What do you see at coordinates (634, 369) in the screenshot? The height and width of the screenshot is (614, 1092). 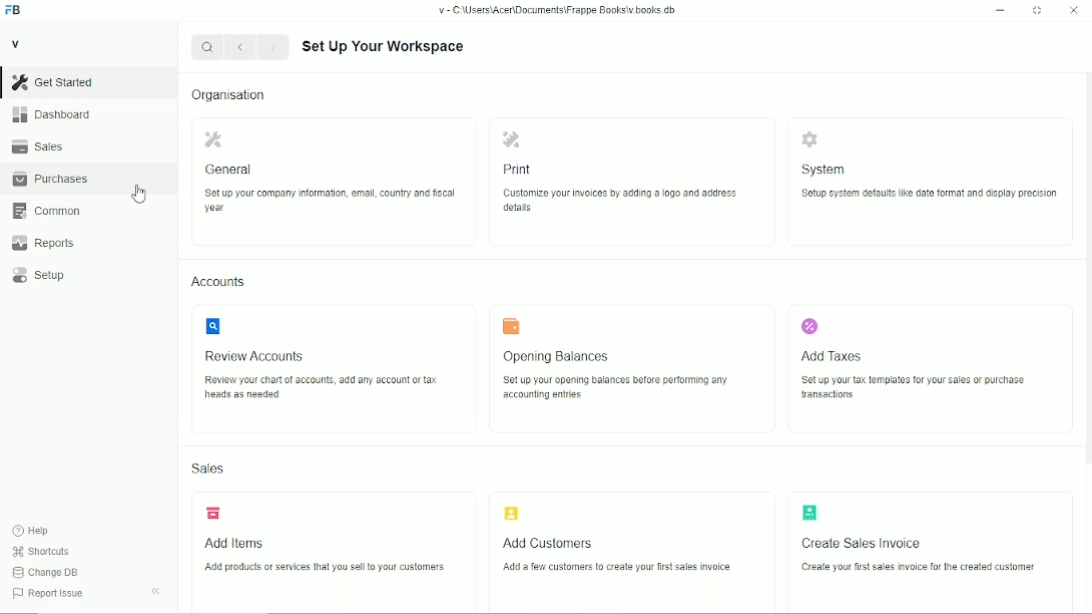 I see `Opening Balances set up your opening balances before performing any accounting entries` at bounding box center [634, 369].